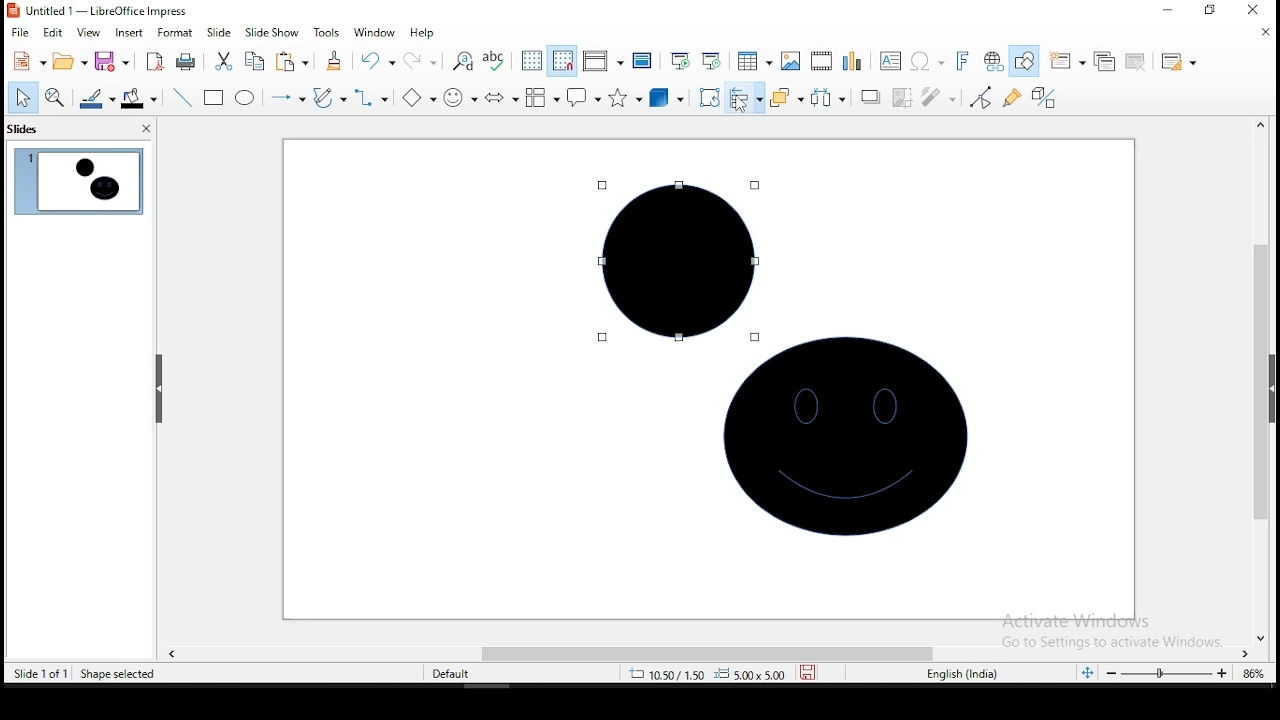 The height and width of the screenshot is (720, 1280). I want to click on flowchart, so click(542, 100).